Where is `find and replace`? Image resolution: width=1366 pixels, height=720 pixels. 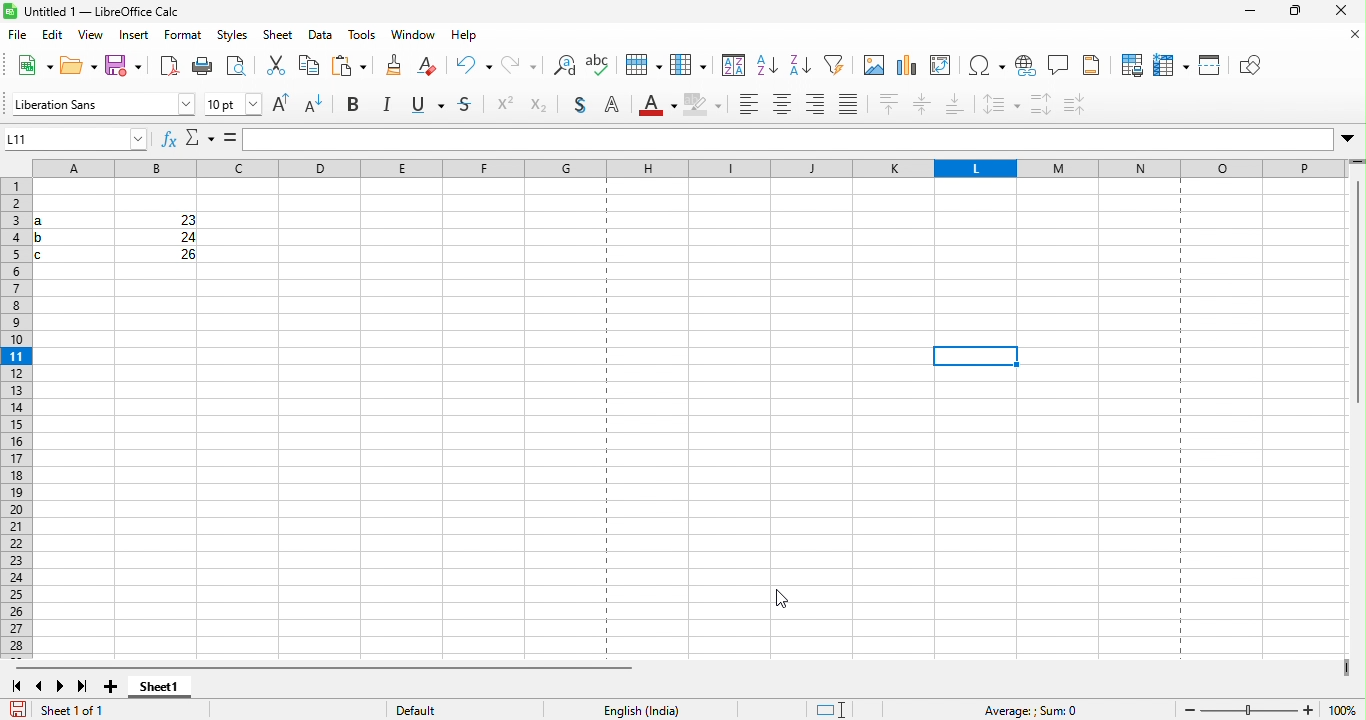
find and replace is located at coordinates (520, 67).